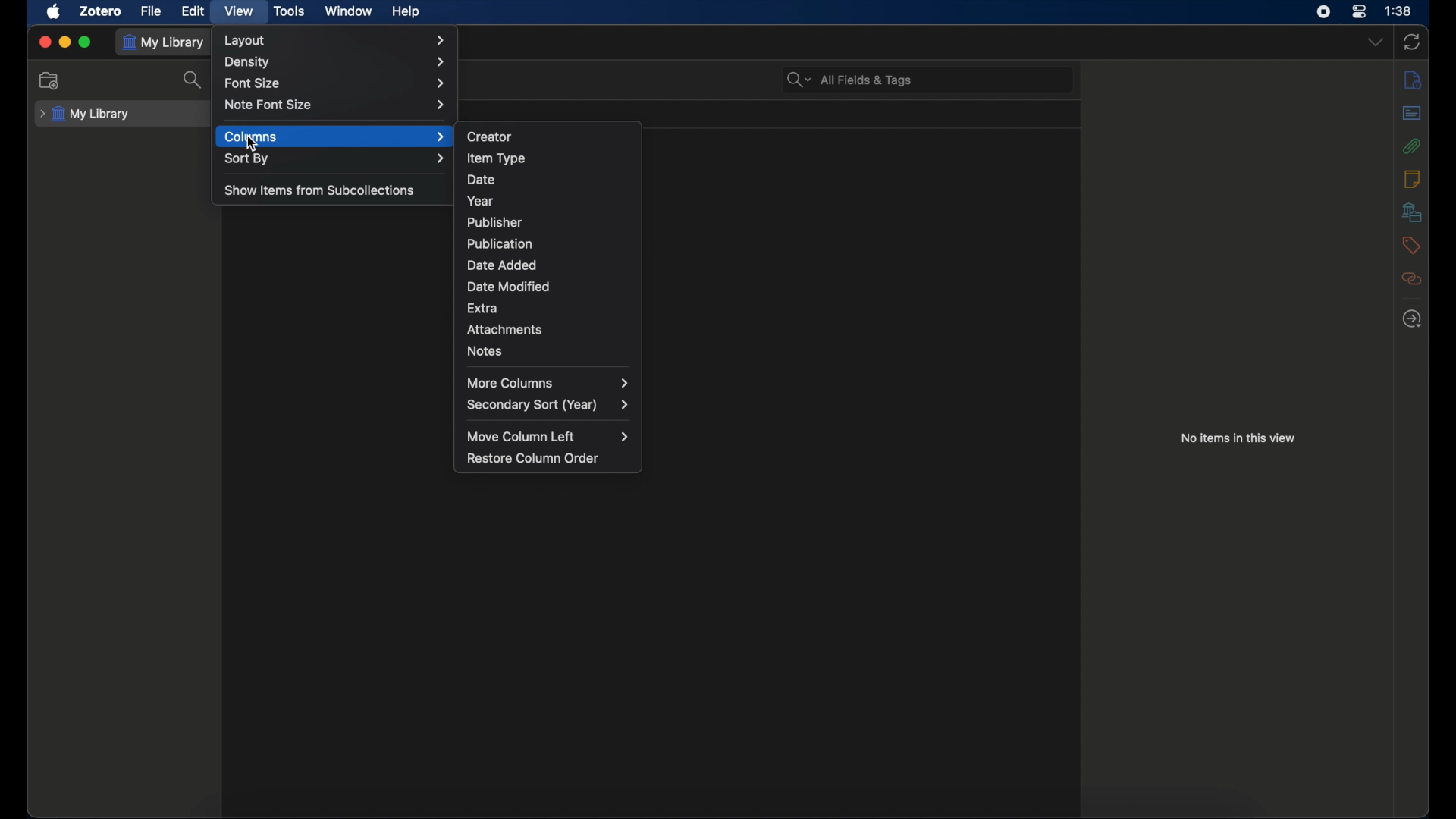 This screenshot has height=819, width=1456. What do you see at coordinates (336, 62) in the screenshot?
I see `density` at bounding box center [336, 62].